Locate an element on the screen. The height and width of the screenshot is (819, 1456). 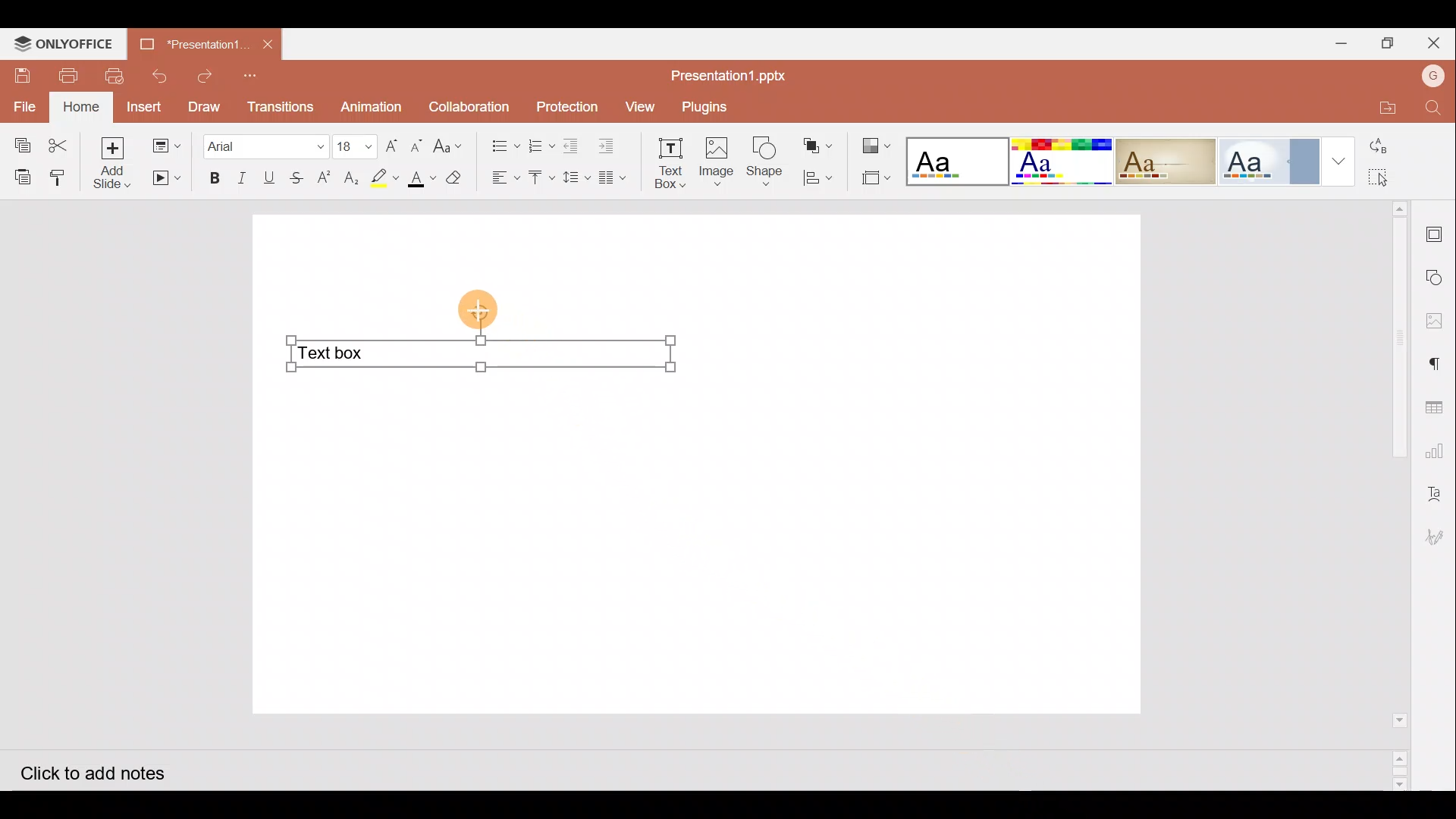
Close is located at coordinates (1437, 44).